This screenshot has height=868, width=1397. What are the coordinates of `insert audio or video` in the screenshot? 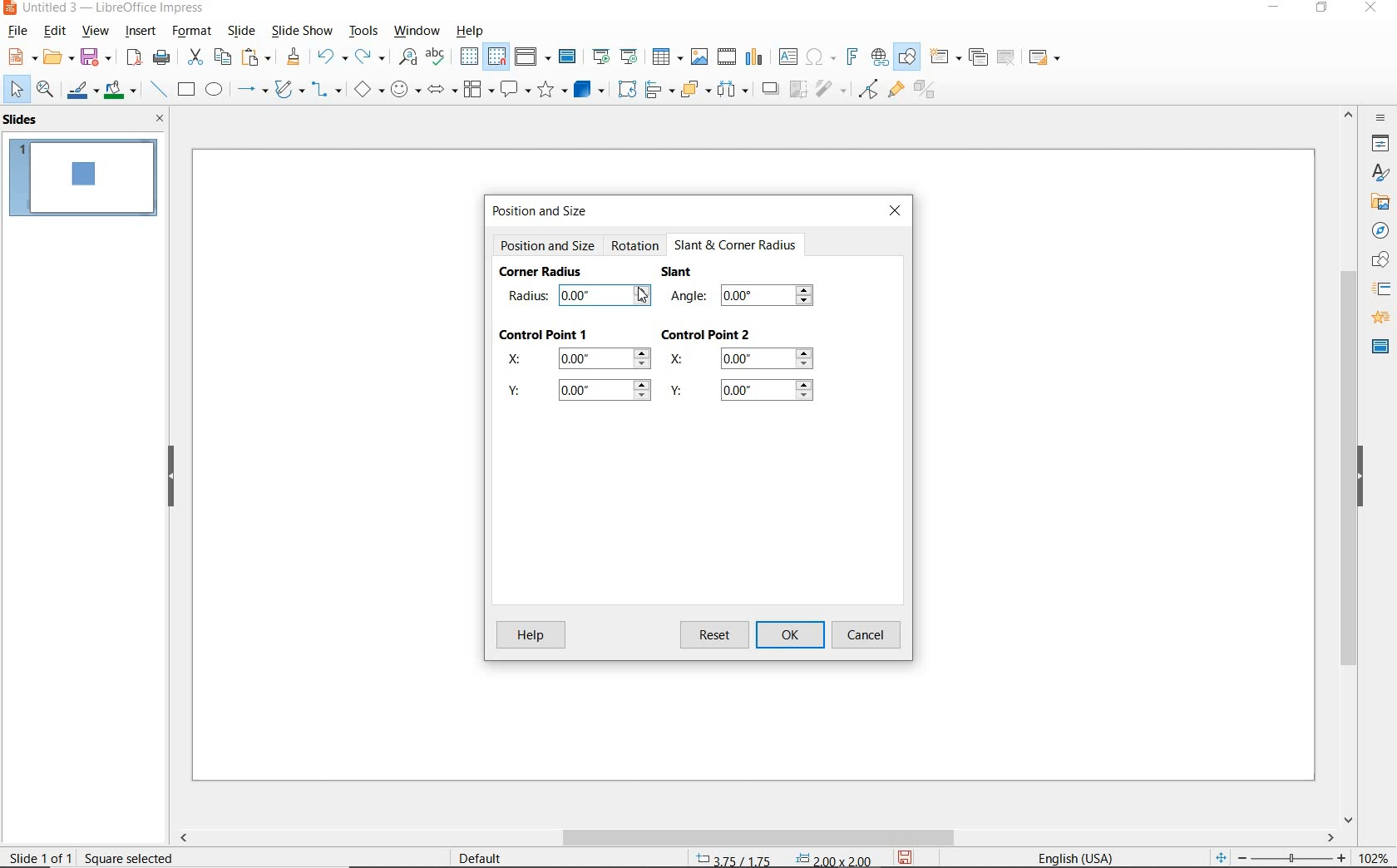 It's located at (728, 57).